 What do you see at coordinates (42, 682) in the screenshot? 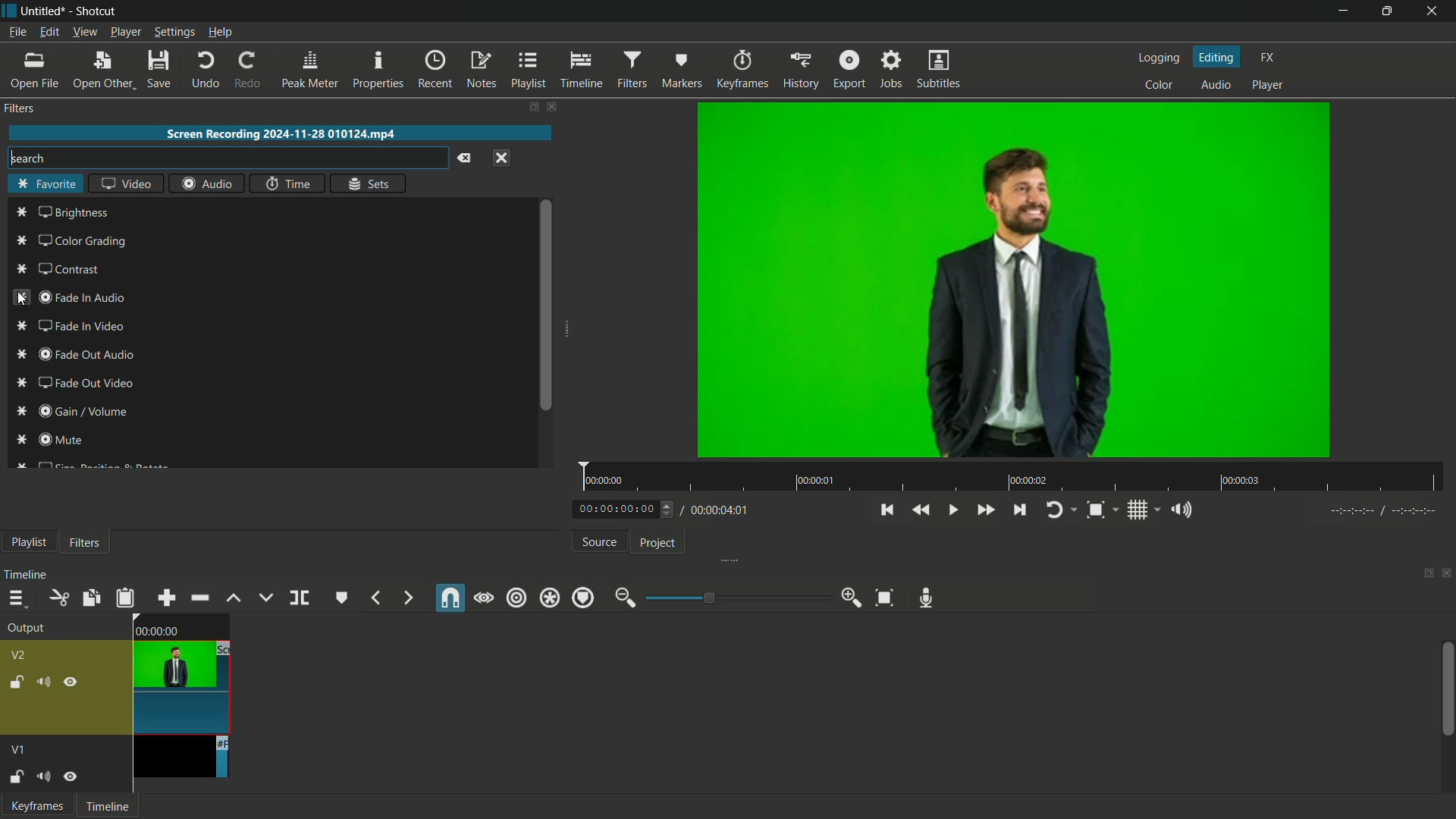
I see `mute` at bounding box center [42, 682].